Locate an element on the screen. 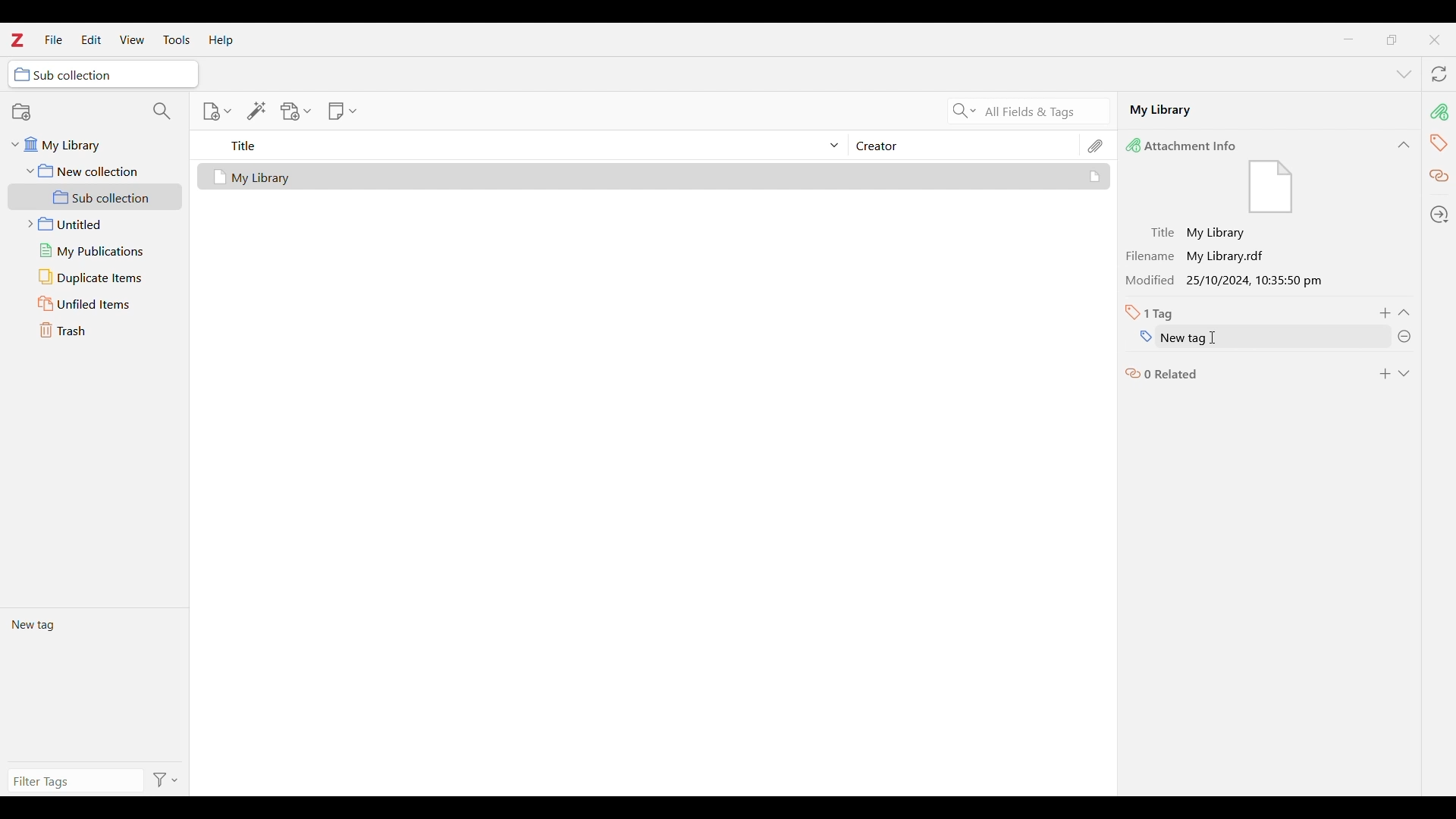  View menu is located at coordinates (133, 39).